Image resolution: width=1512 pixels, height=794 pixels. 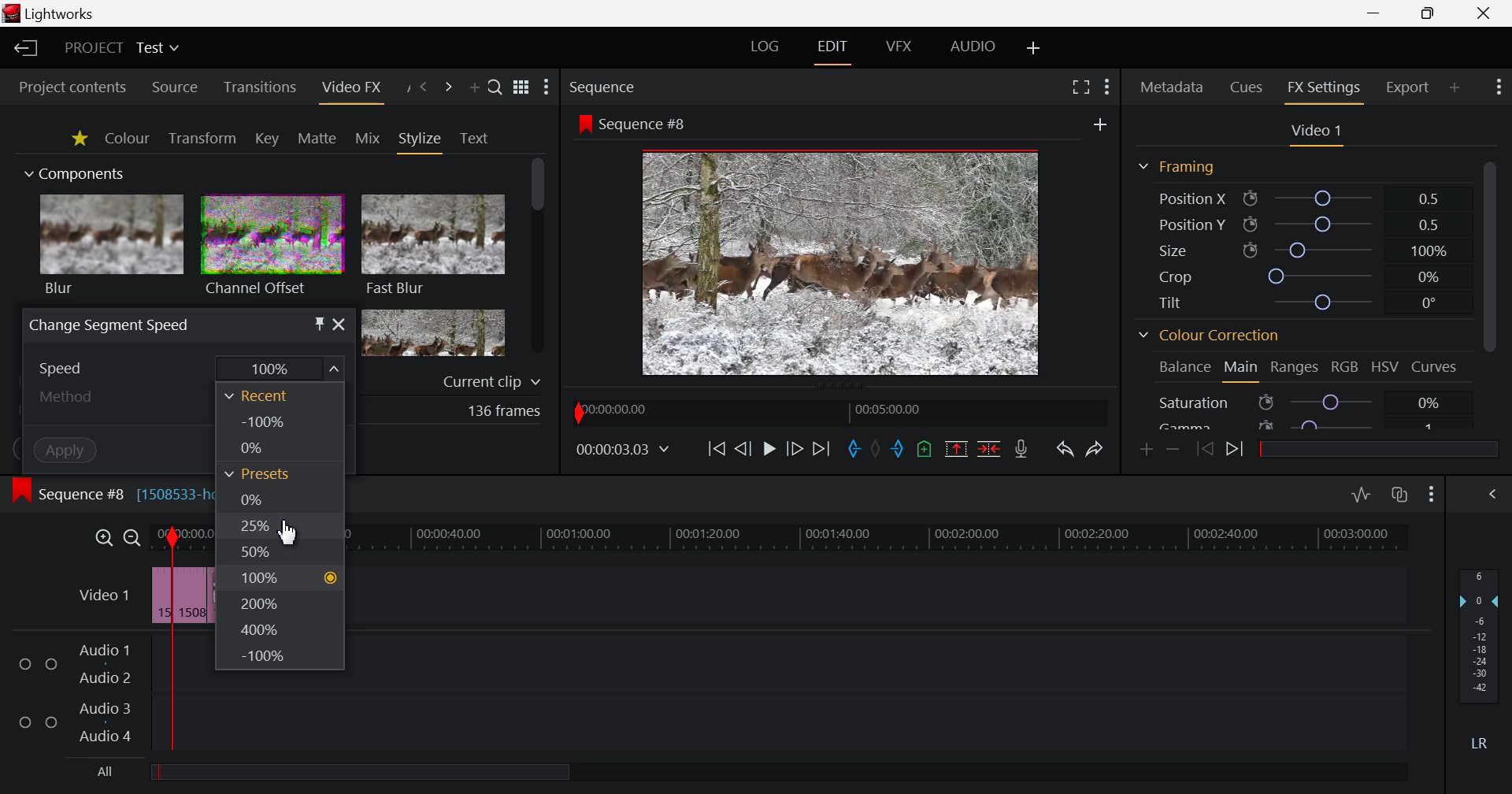 What do you see at coordinates (1346, 366) in the screenshot?
I see `RGB` at bounding box center [1346, 366].